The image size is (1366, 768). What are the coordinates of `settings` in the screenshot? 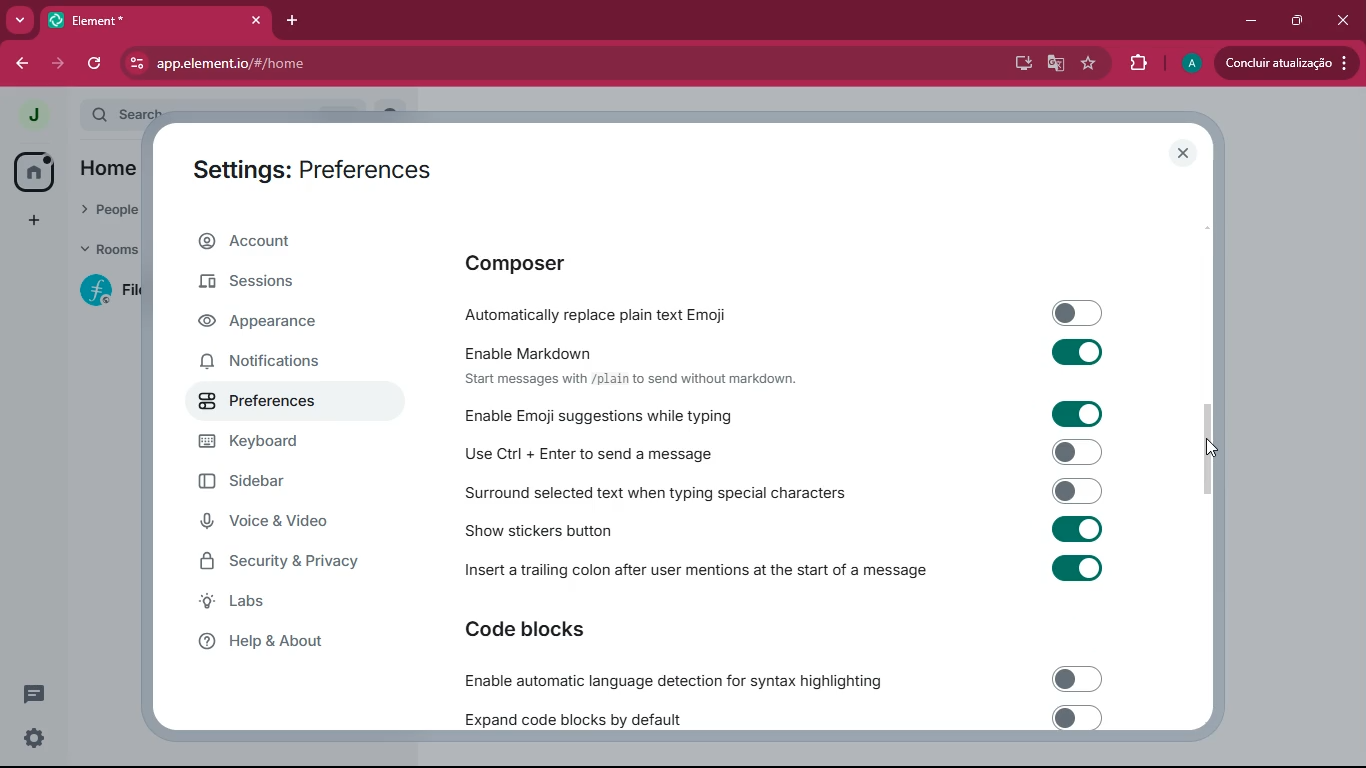 It's located at (29, 738).